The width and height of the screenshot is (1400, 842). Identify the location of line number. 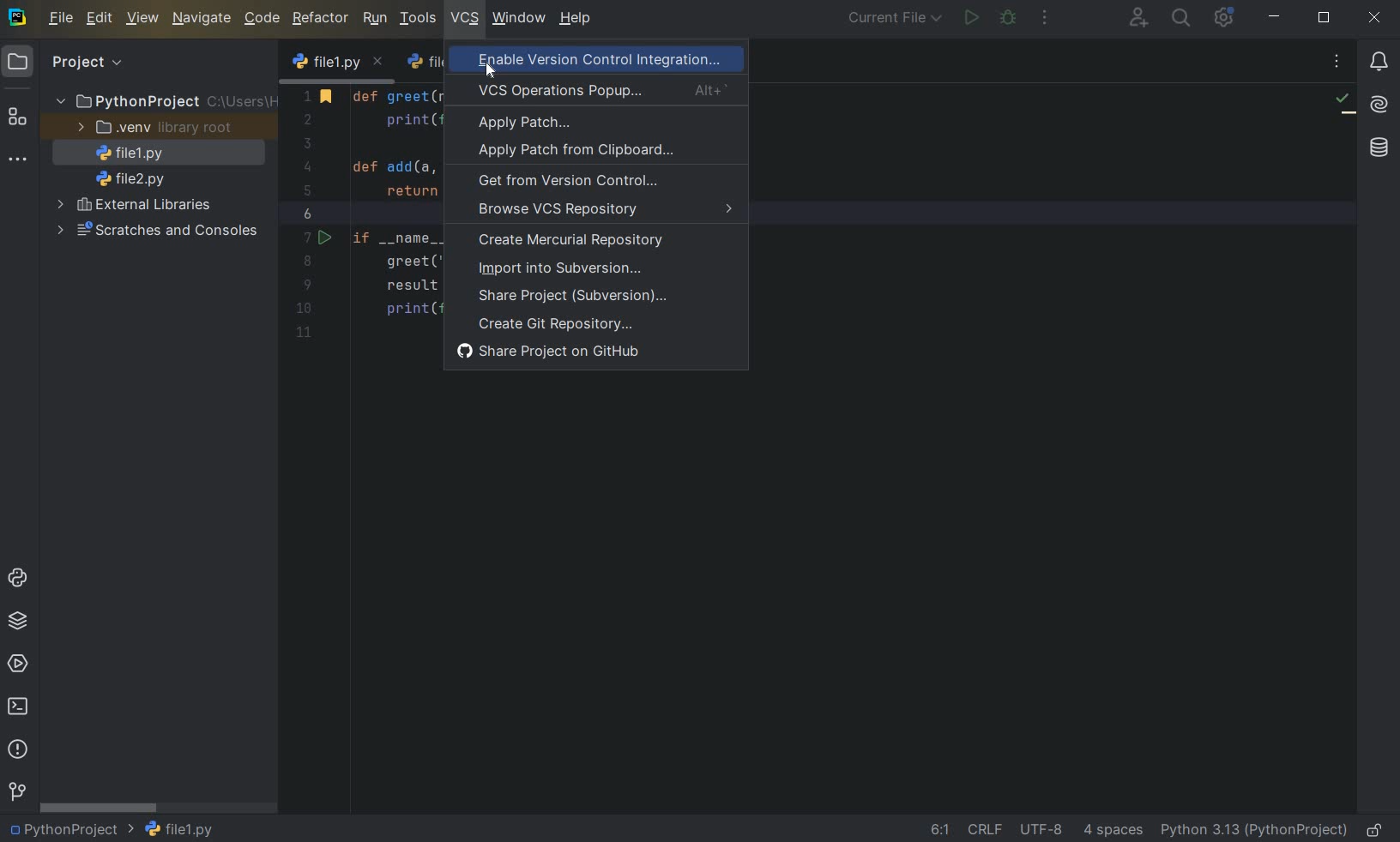
(310, 214).